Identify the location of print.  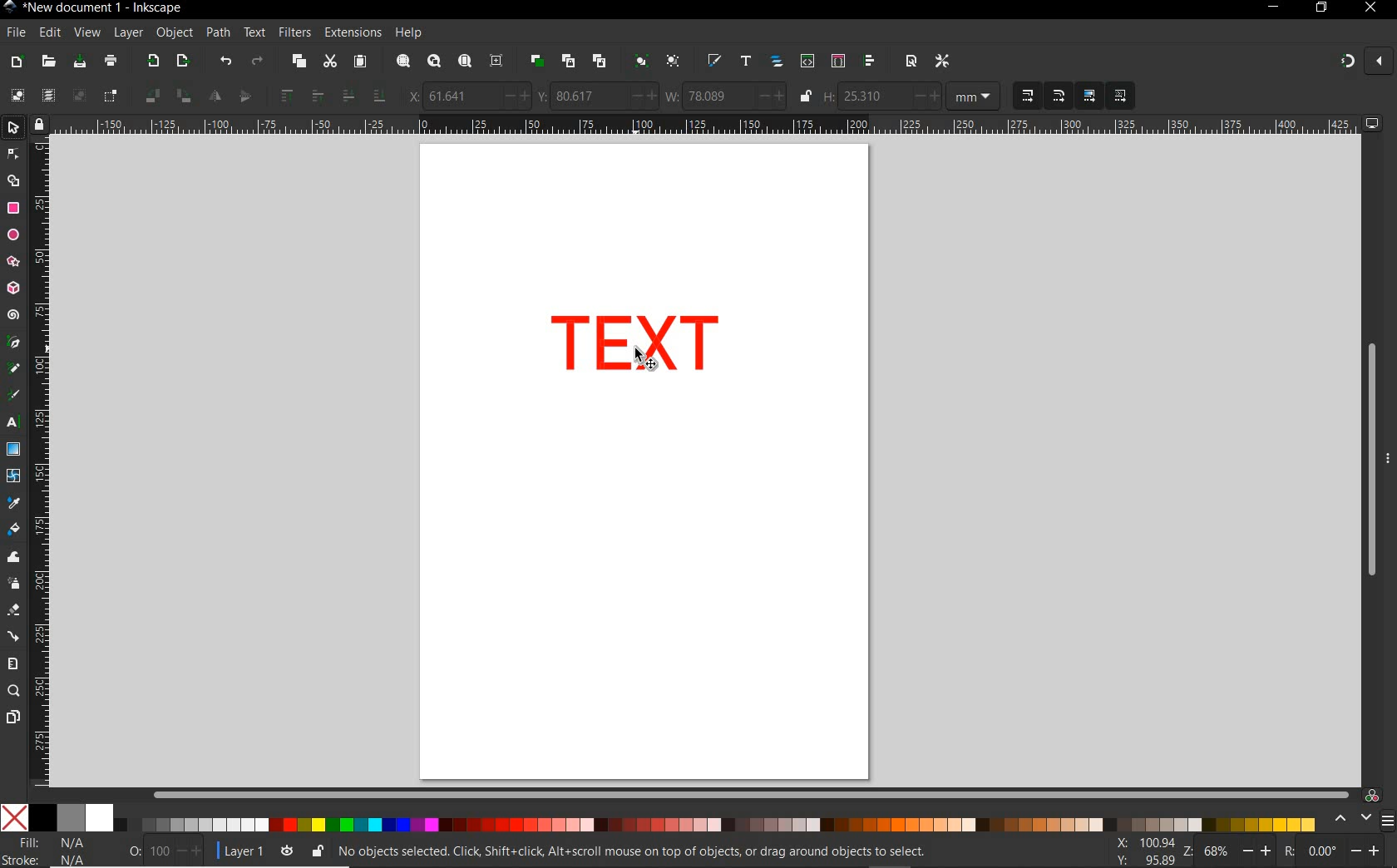
(109, 62).